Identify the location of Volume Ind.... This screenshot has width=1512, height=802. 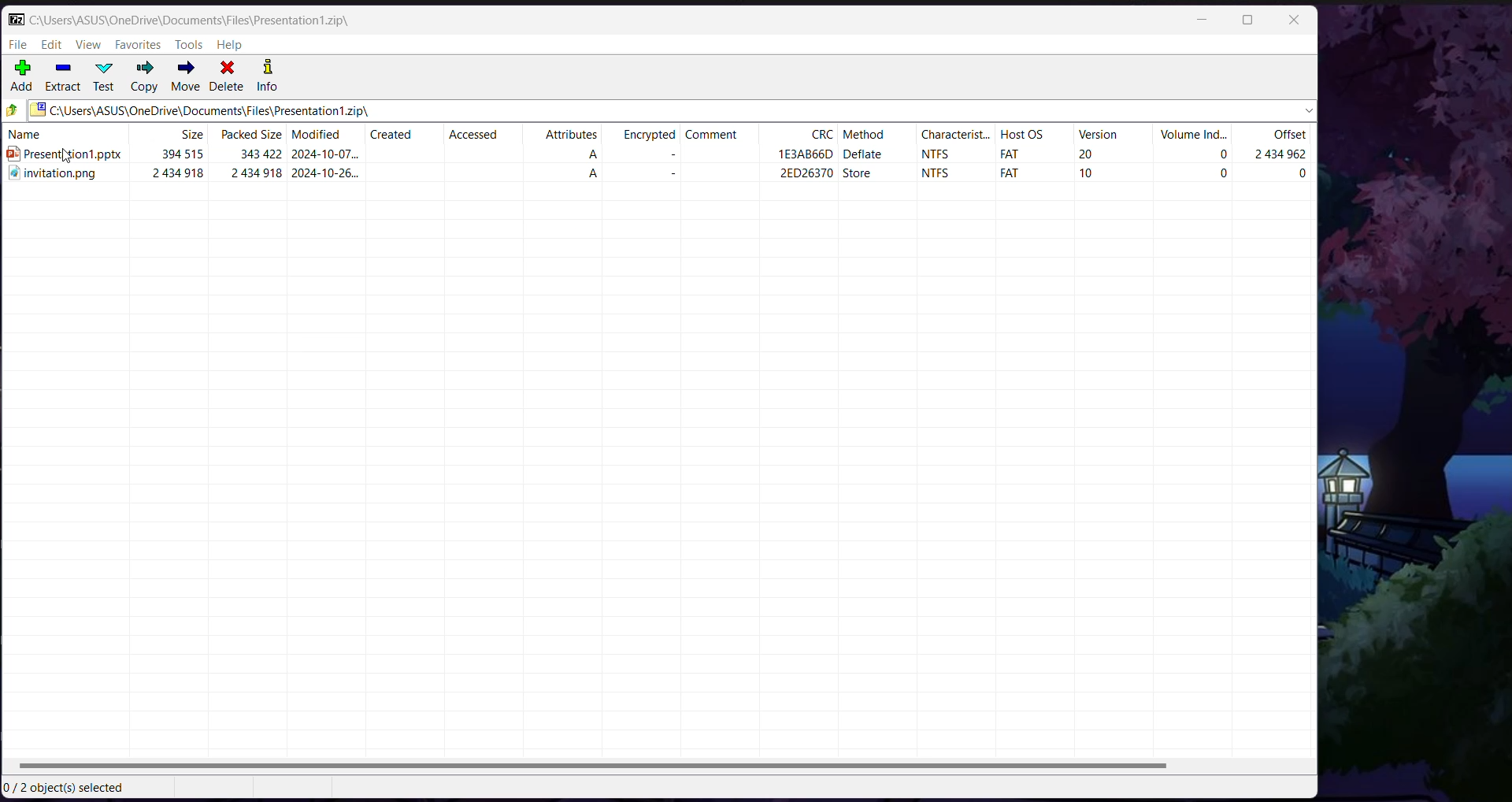
(1192, 135).